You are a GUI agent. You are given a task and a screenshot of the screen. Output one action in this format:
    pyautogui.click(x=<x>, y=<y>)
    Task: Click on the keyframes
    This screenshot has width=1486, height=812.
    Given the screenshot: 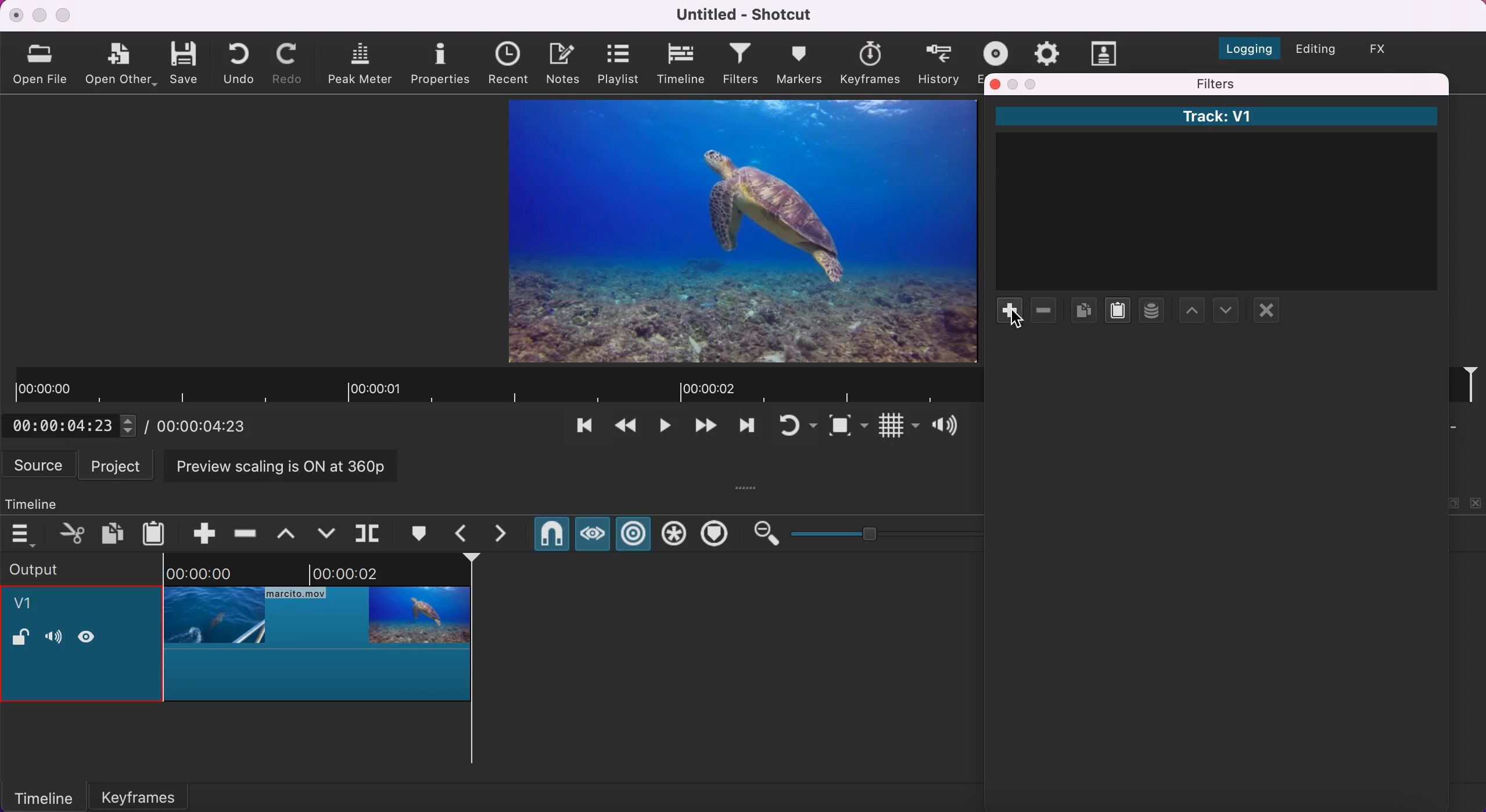 What is the action you would take?
    pyautogui.click(x=869, y=63)
    